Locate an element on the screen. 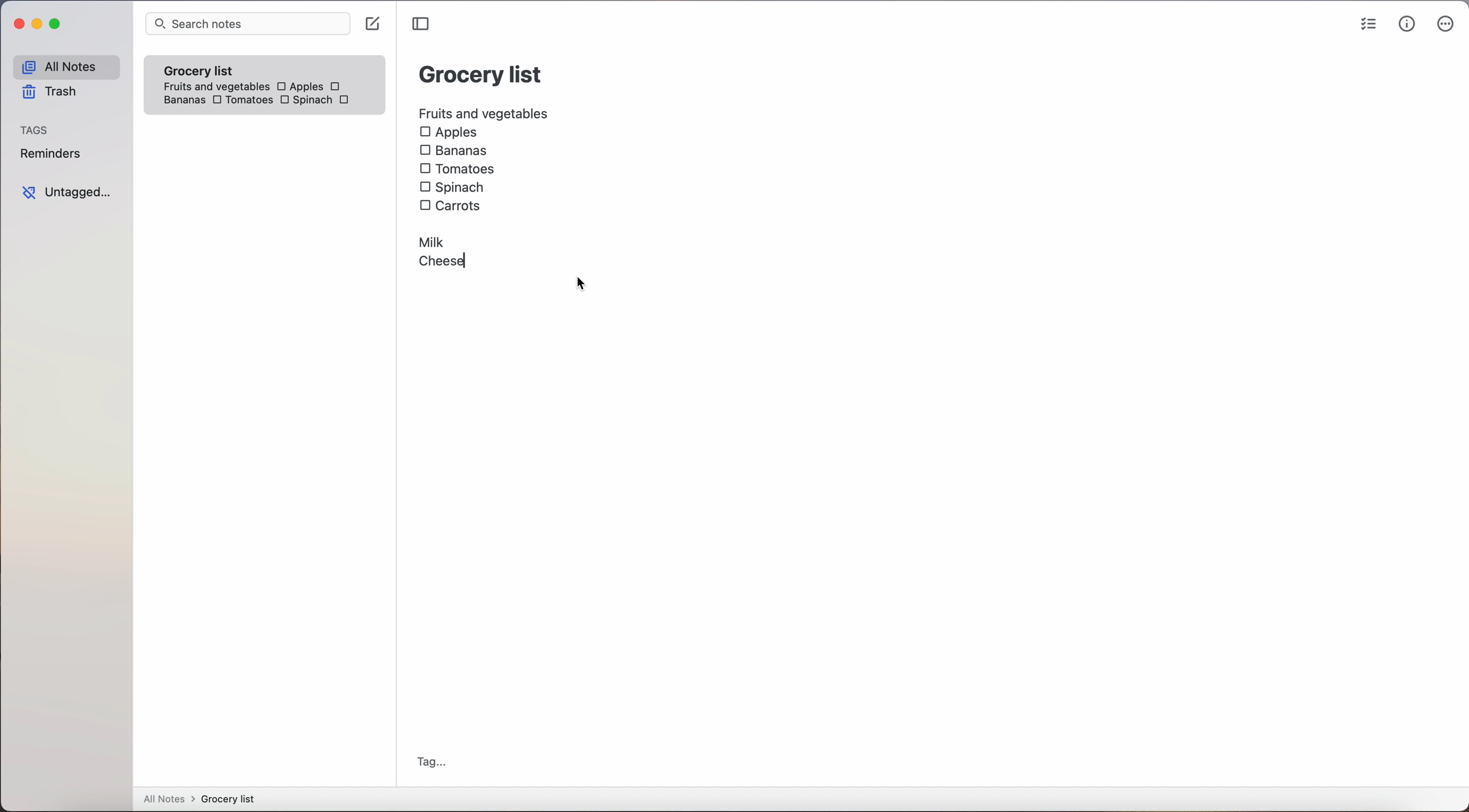 The image size is (1469, 812). untagged is located at coordinates (66, 192).